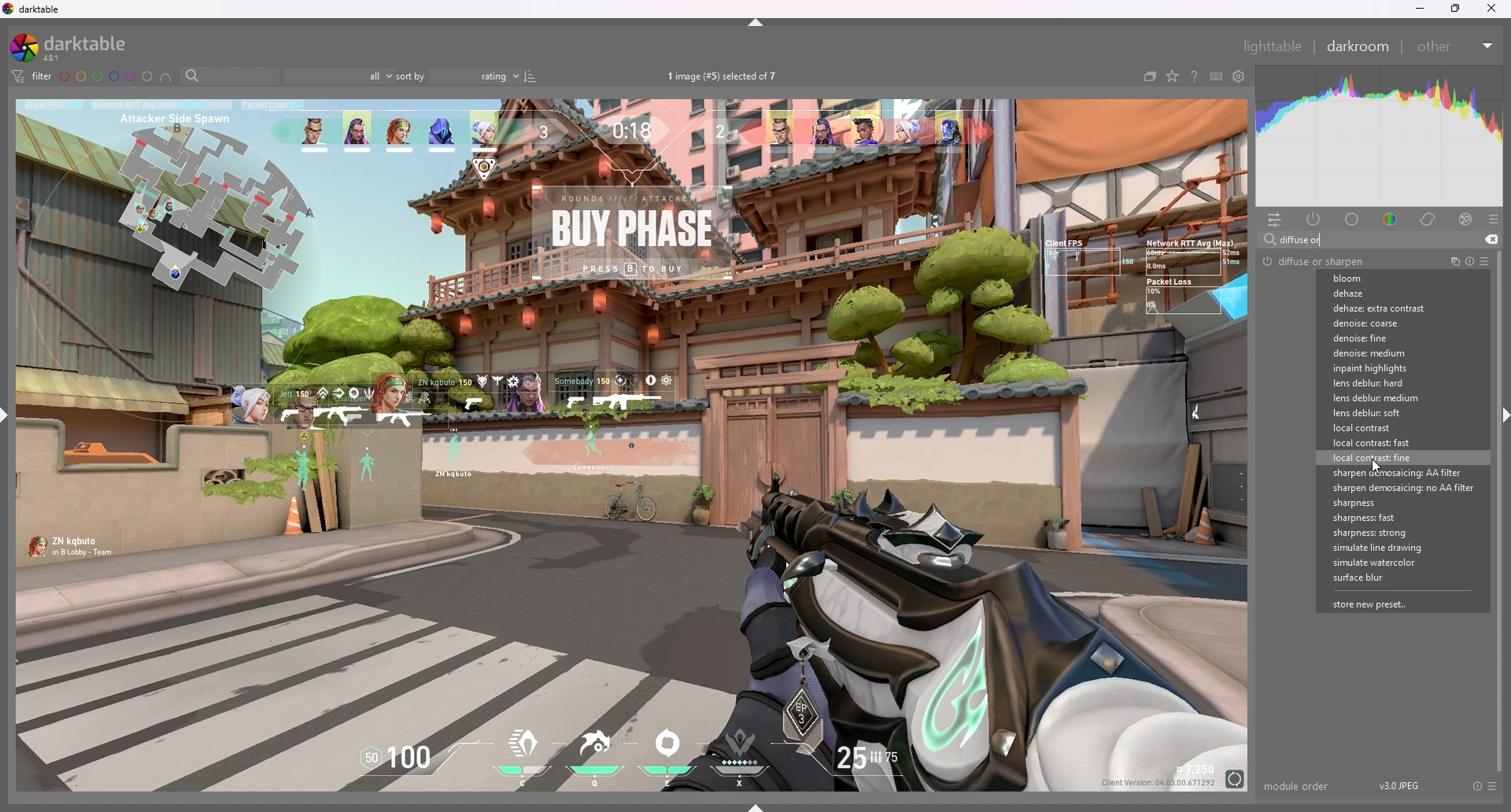 The width and height of the screenshot is (1511, 812). I want to click on change type of element, so click(1173, 76).